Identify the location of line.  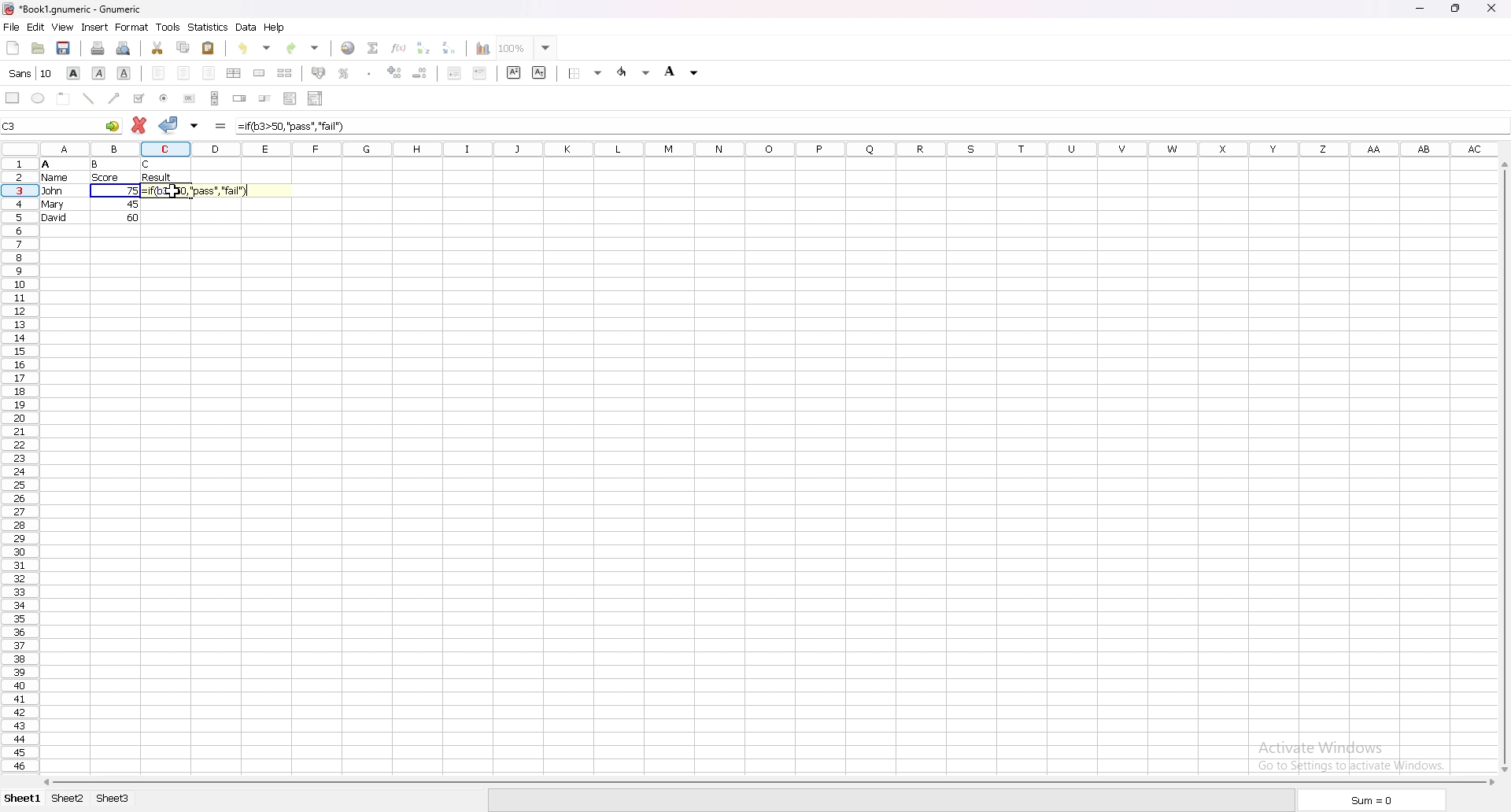
(88, 98).